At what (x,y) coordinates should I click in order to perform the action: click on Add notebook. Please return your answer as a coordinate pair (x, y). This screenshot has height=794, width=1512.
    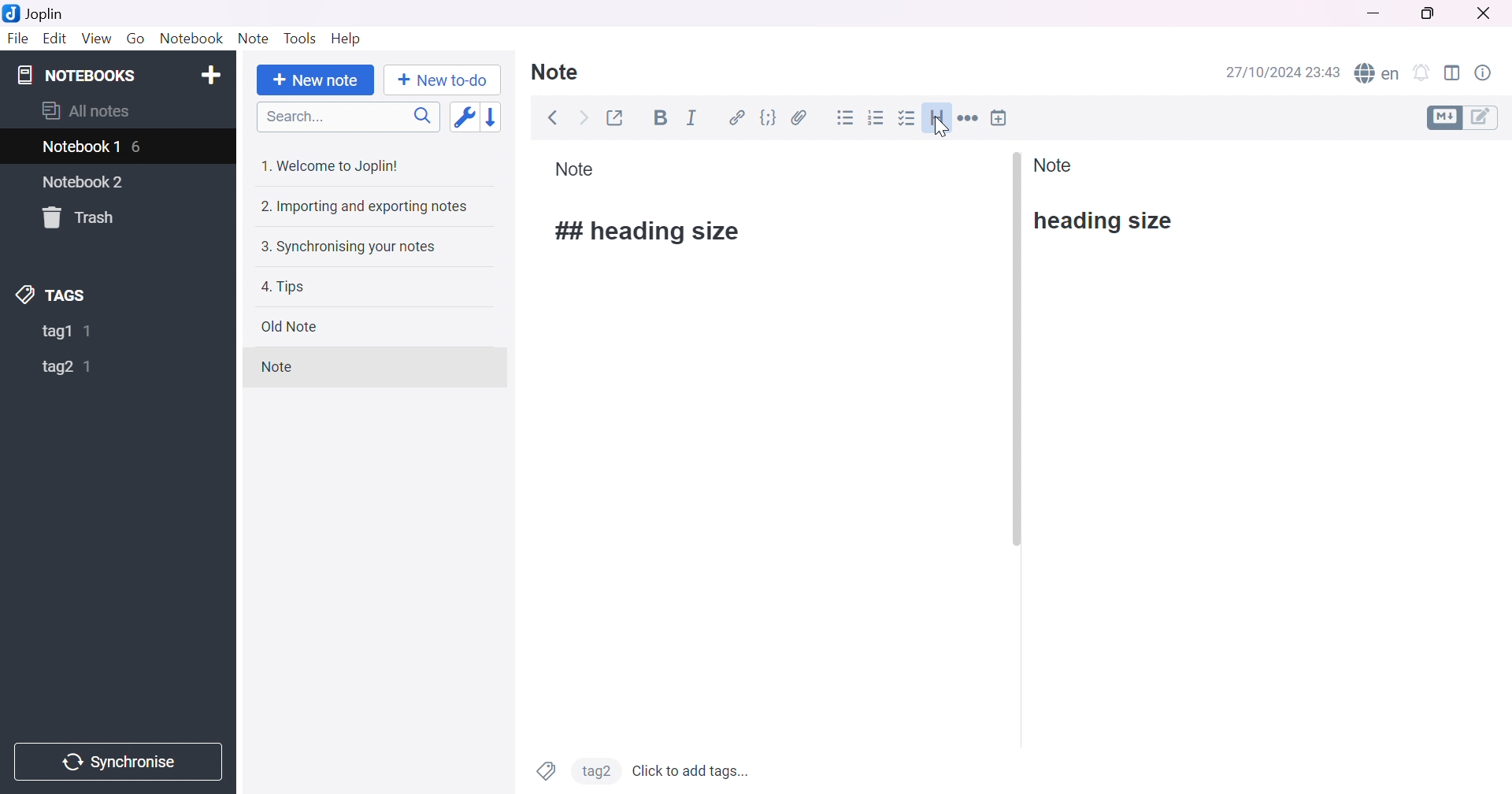
    Looking at the image, I should click on (210, 74).